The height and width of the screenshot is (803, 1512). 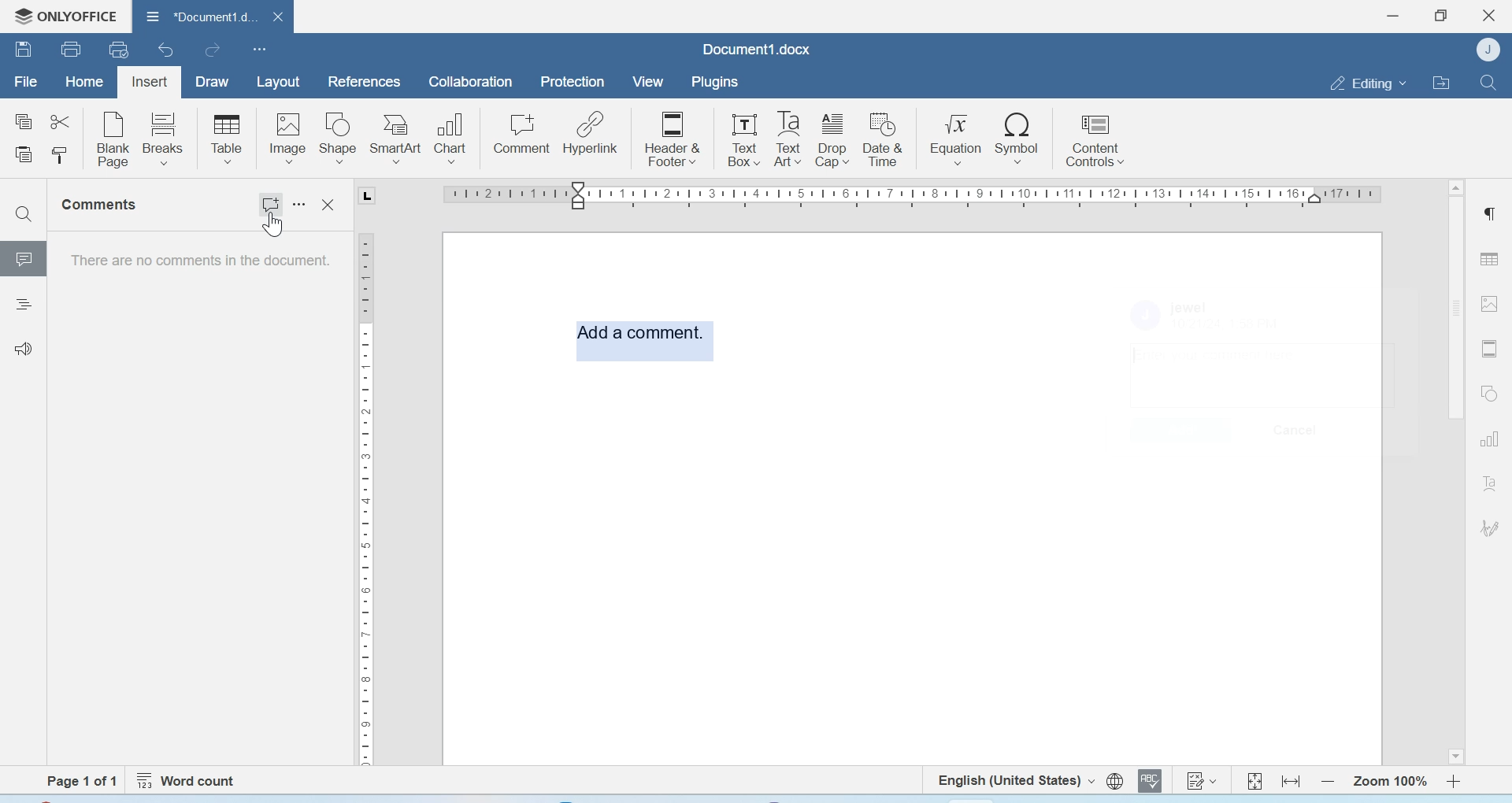 What do you see at coordinates (211, 50) in the screenshot?
I see `Redo` at bounding box center [211, 50].